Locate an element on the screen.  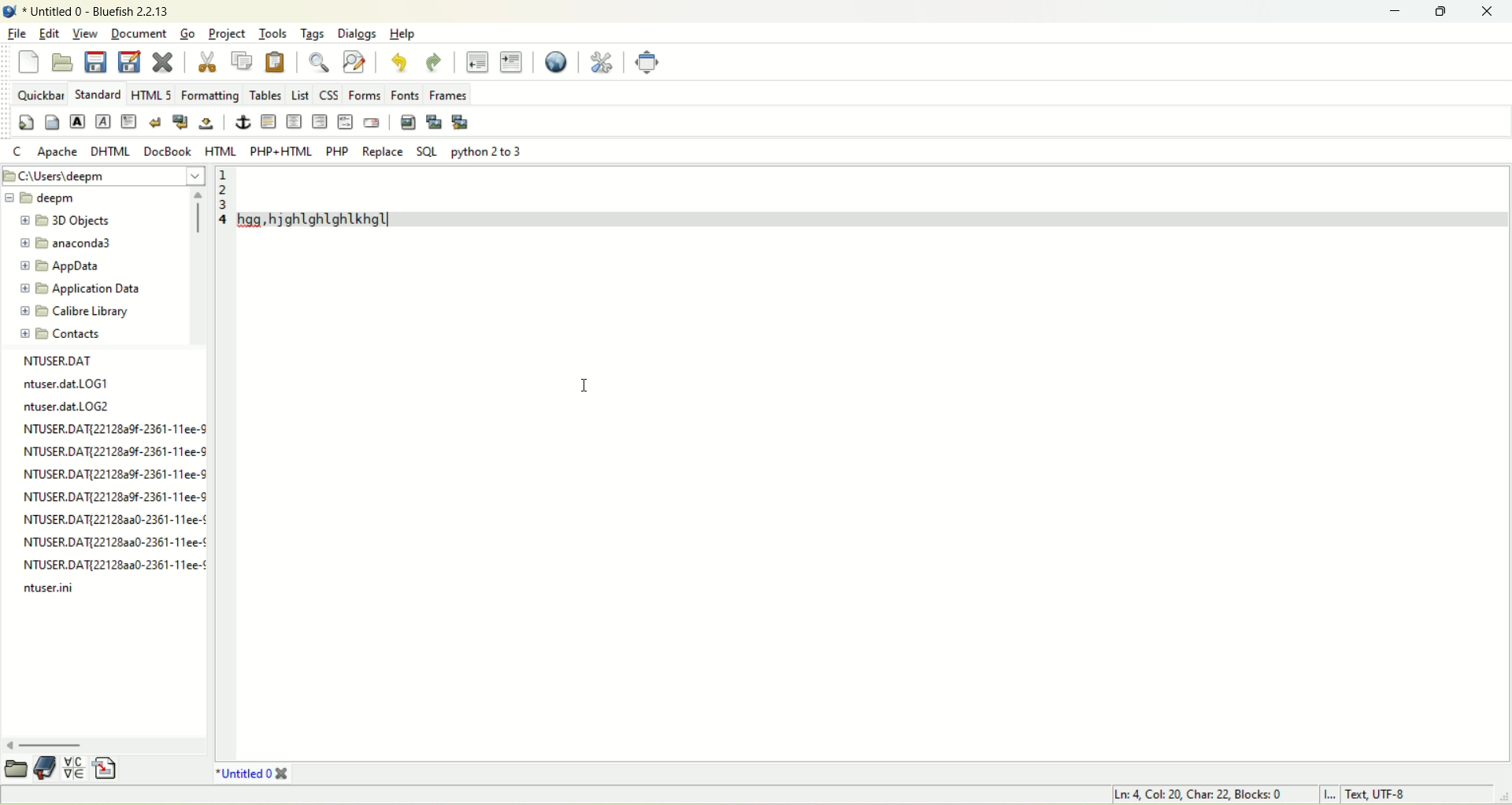
html comment is located at coordinates (346, 121).